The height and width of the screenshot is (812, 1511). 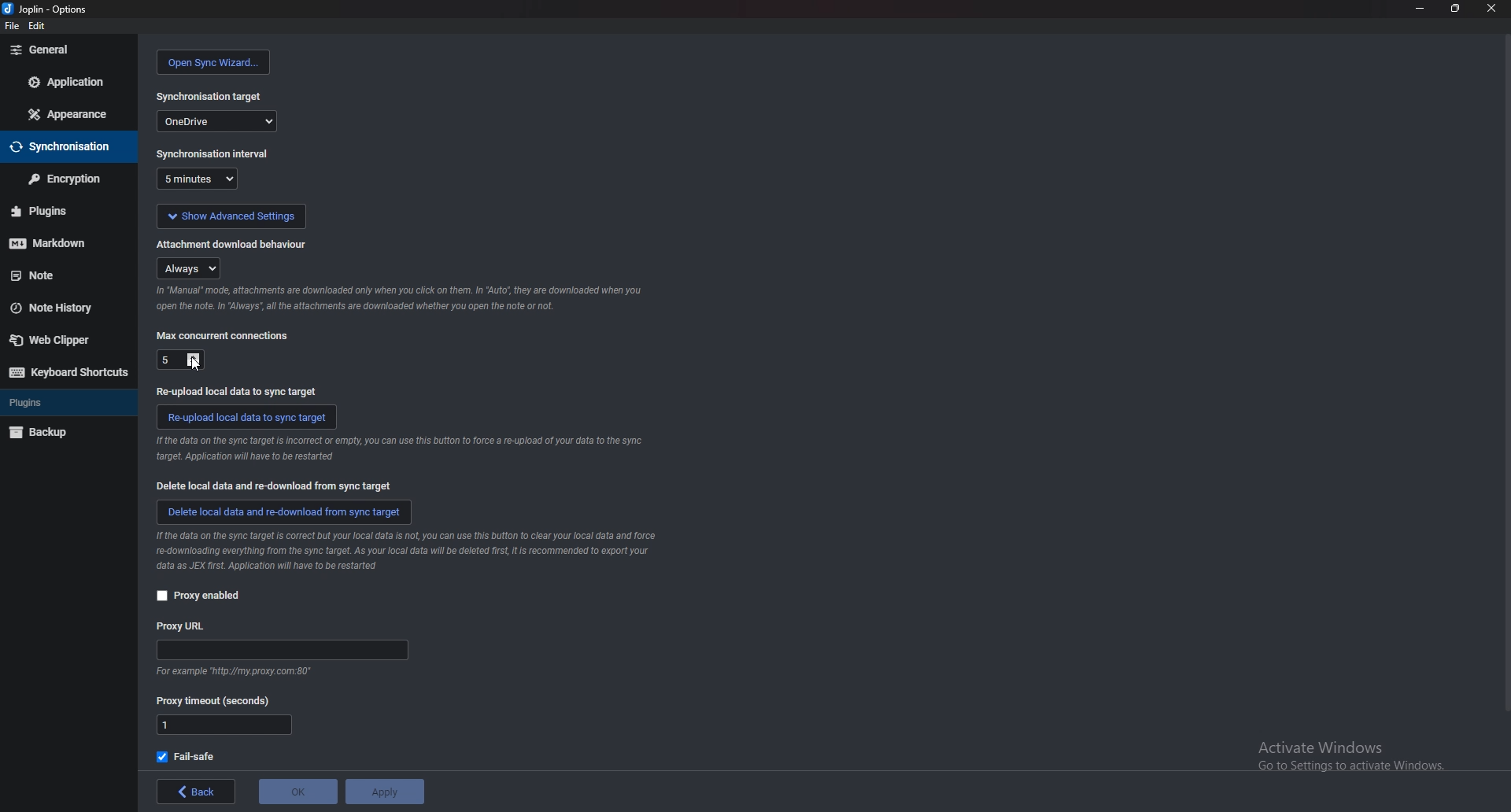 What do you see at coordinates (200, 179) in the screenshot?
I see `5 minutes` at bounding box center [200, 179].